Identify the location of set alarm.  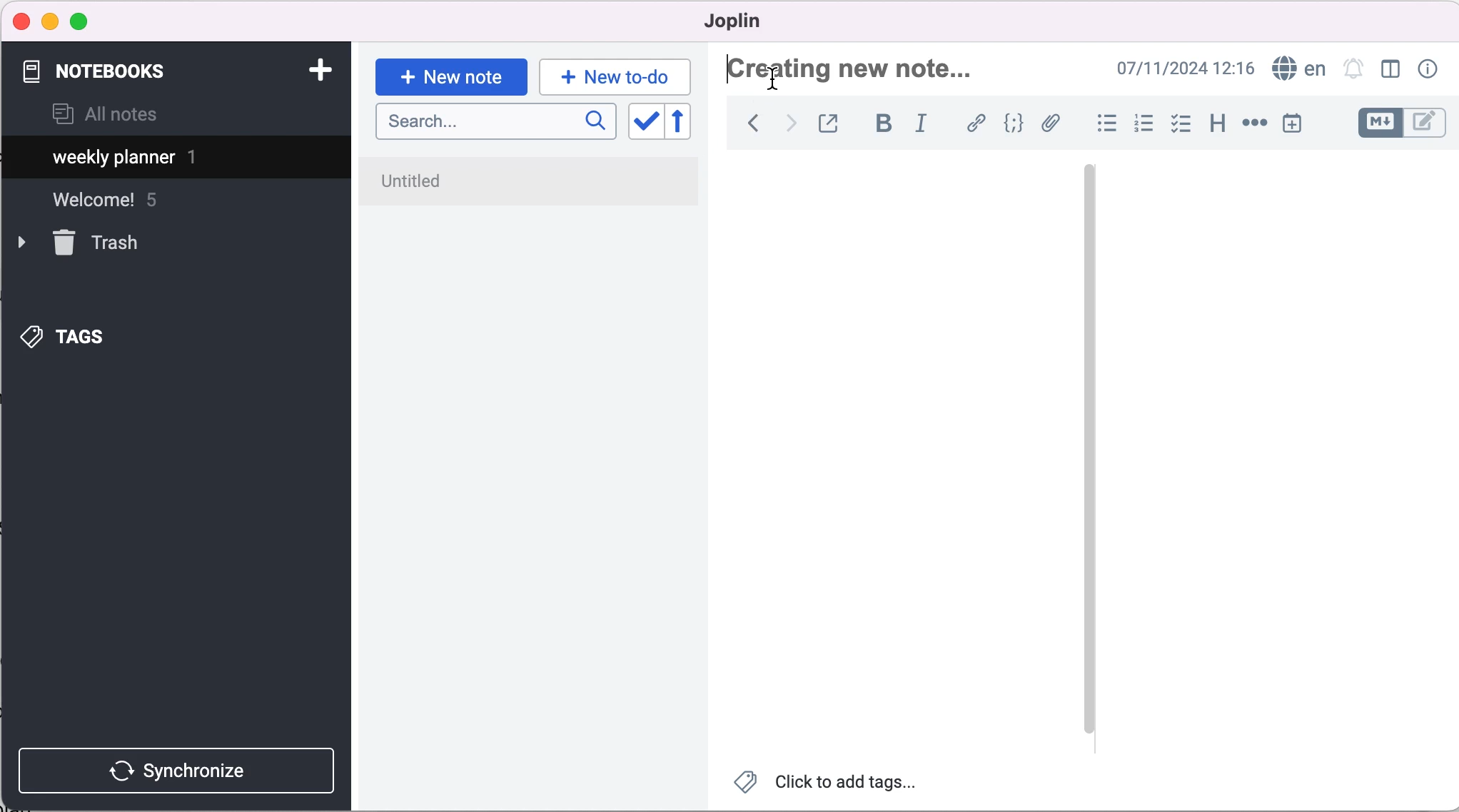
(1354, 71).